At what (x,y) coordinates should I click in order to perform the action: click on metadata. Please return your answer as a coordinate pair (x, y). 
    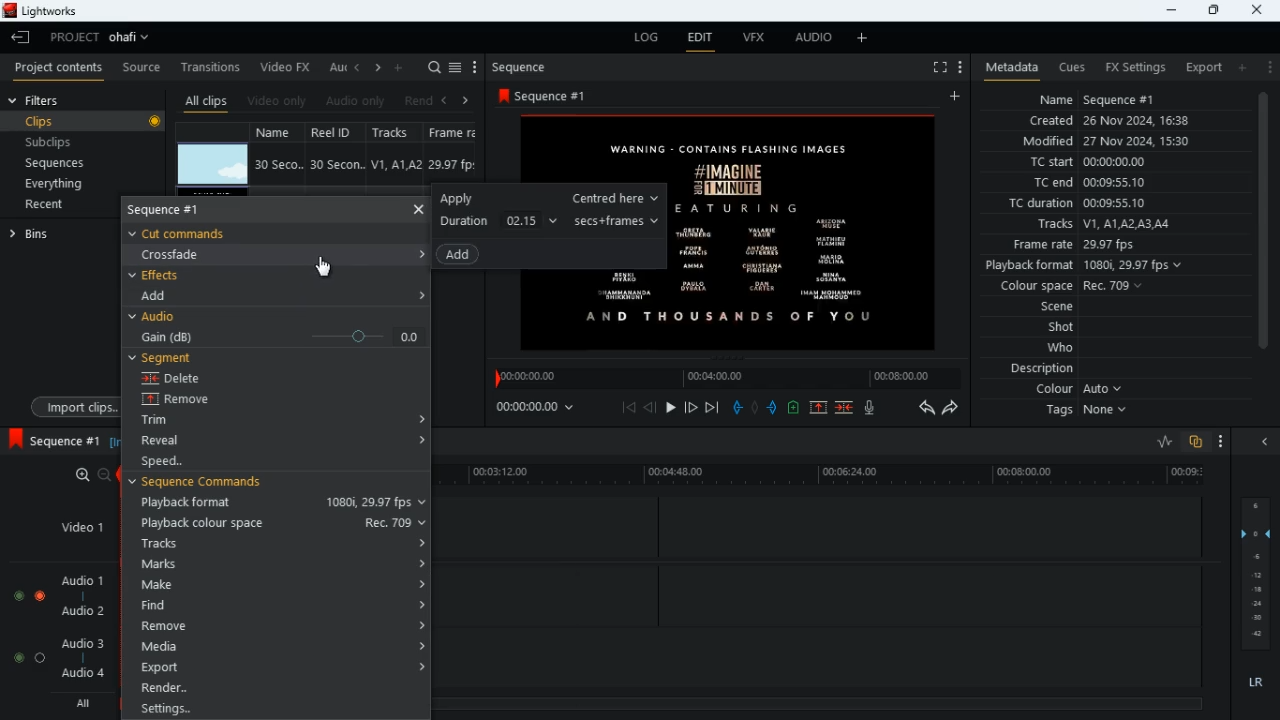
    Looking at the image, I should click on (1007, 68).